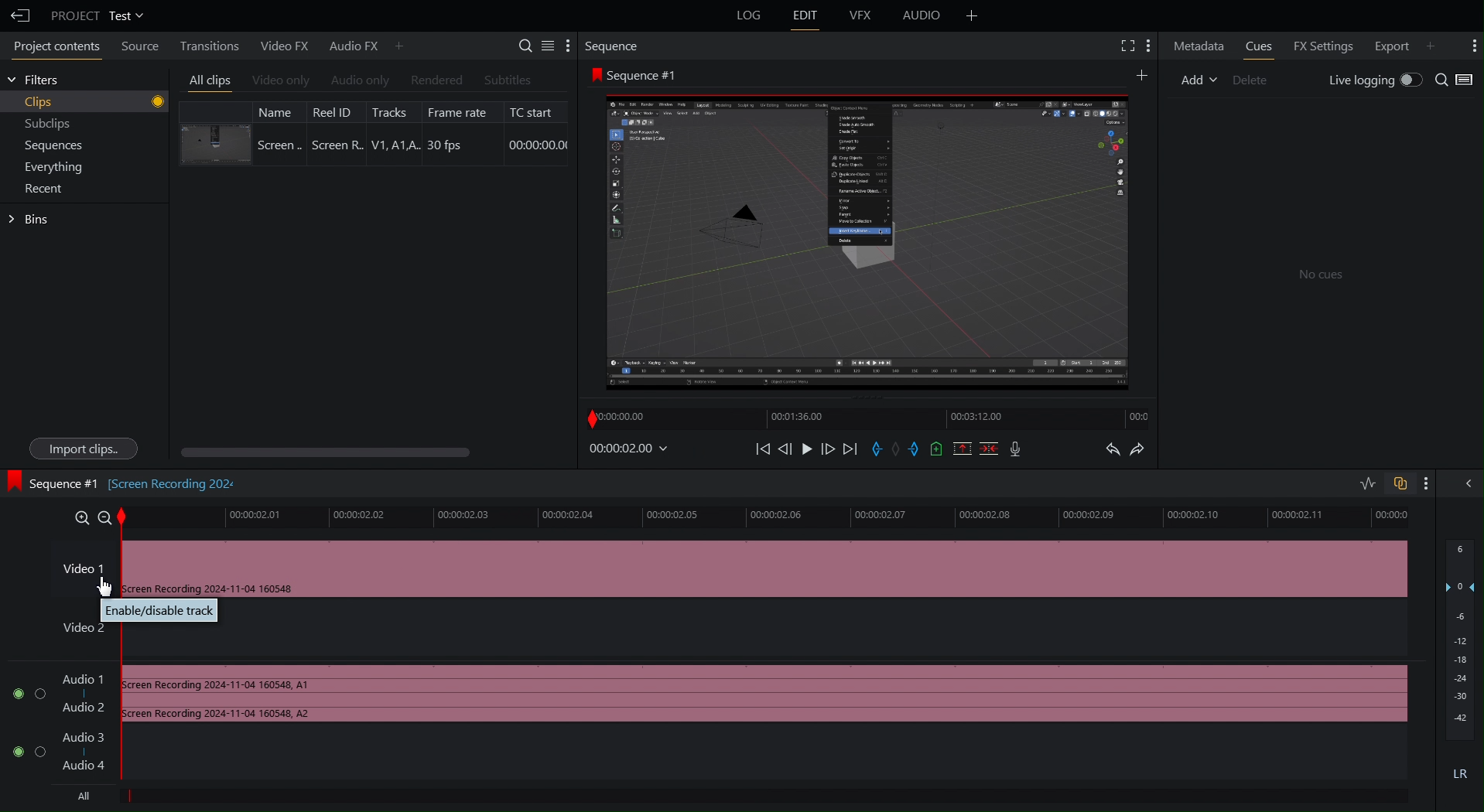 This screenshot has height=812, width=1484. What do you see at coordinates (1112, 450) in the screenshot?
I see `Undo` at bounding box center [1112, 450].